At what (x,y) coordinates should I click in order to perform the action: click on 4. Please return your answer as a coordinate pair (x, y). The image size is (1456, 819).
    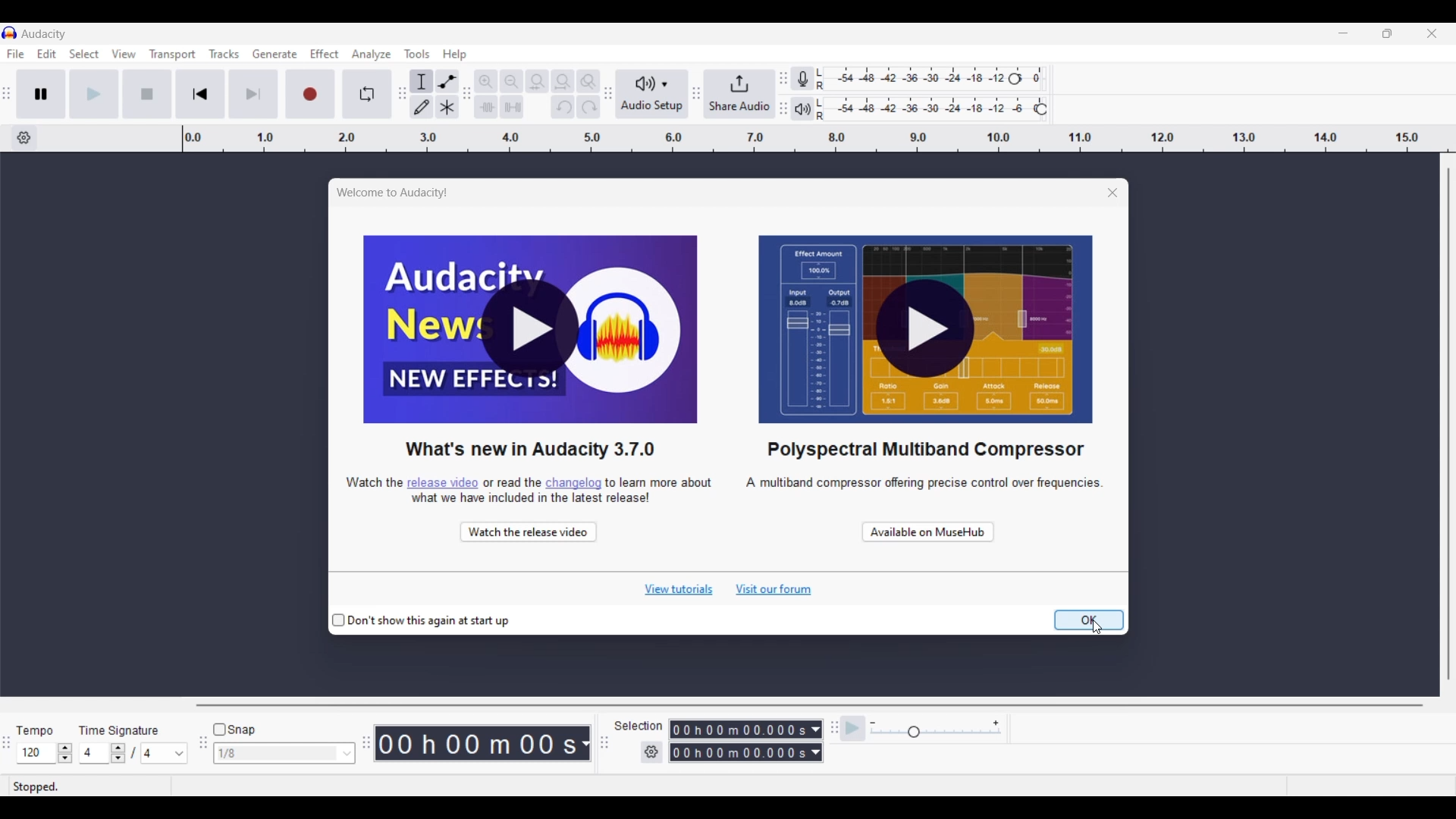
    Looking at the image, I should click on (96, 753).